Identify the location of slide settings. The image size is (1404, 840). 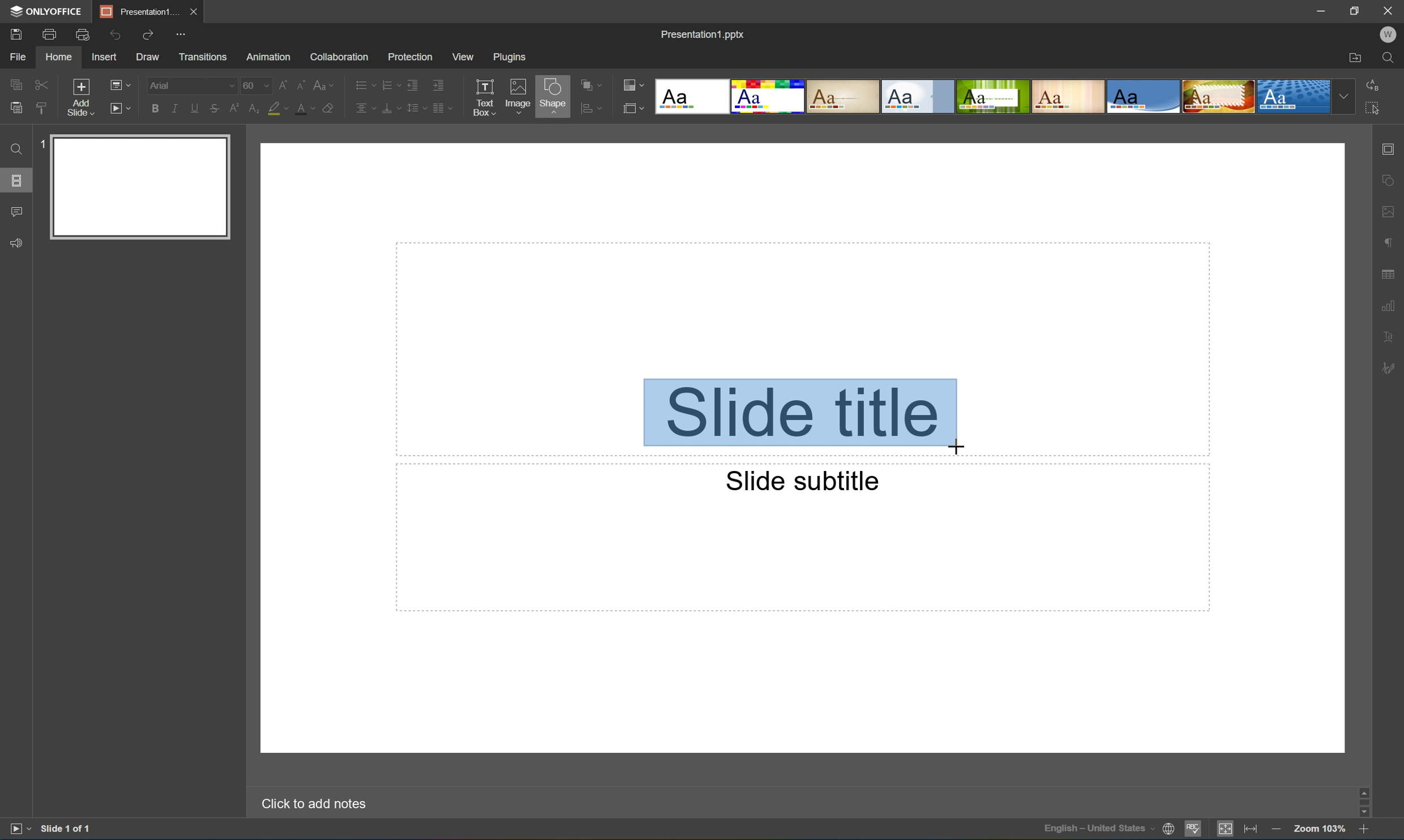
(1391, 149).